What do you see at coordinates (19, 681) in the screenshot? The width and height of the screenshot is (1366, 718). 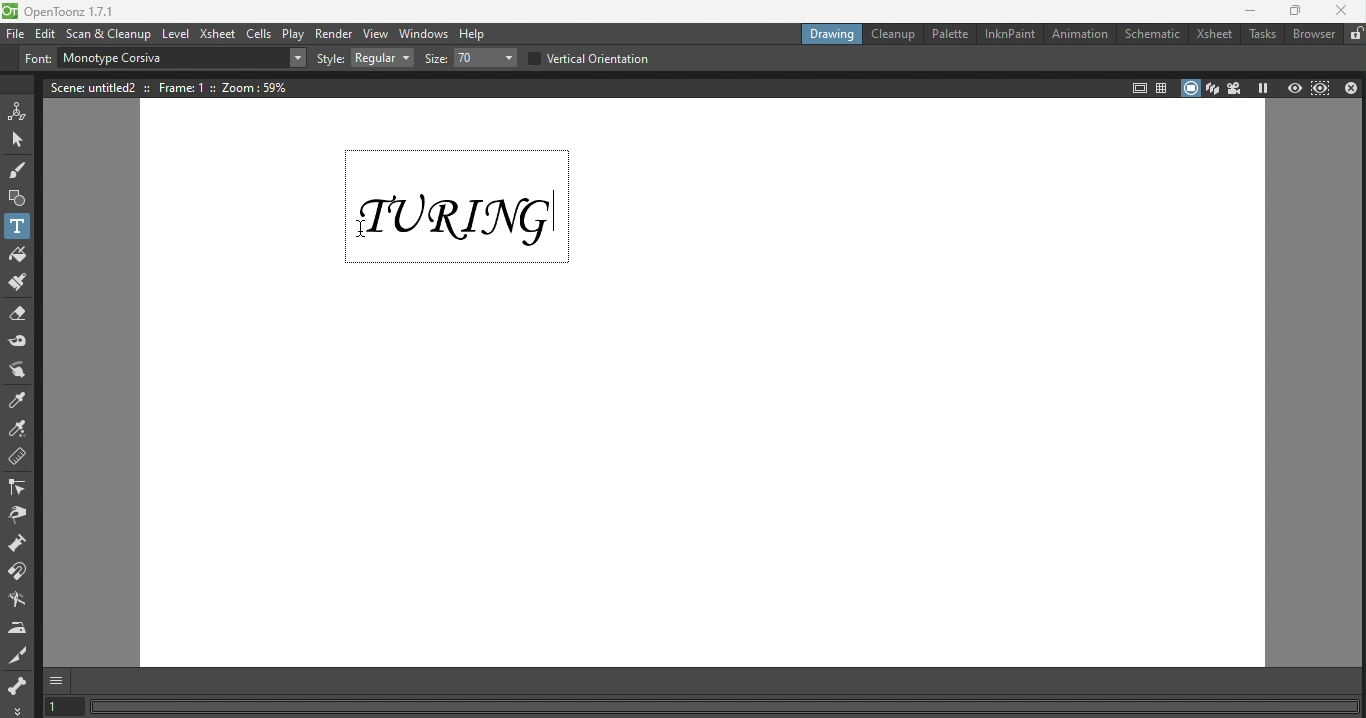 I see `skeleton tool` at bounding box center [19, 681].